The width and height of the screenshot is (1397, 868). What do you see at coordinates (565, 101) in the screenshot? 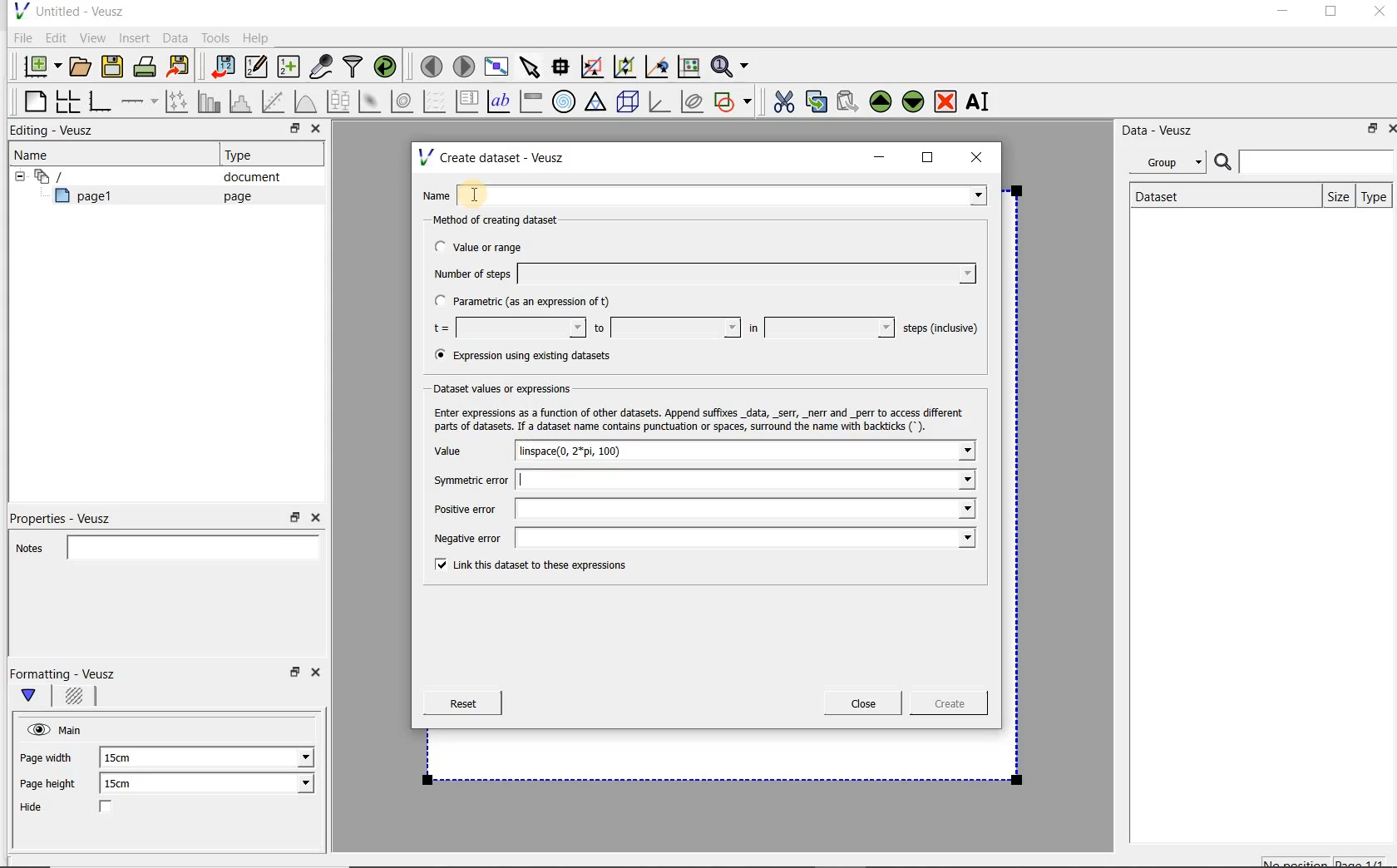
I see `polar graph` at bounding box center [565, 101].